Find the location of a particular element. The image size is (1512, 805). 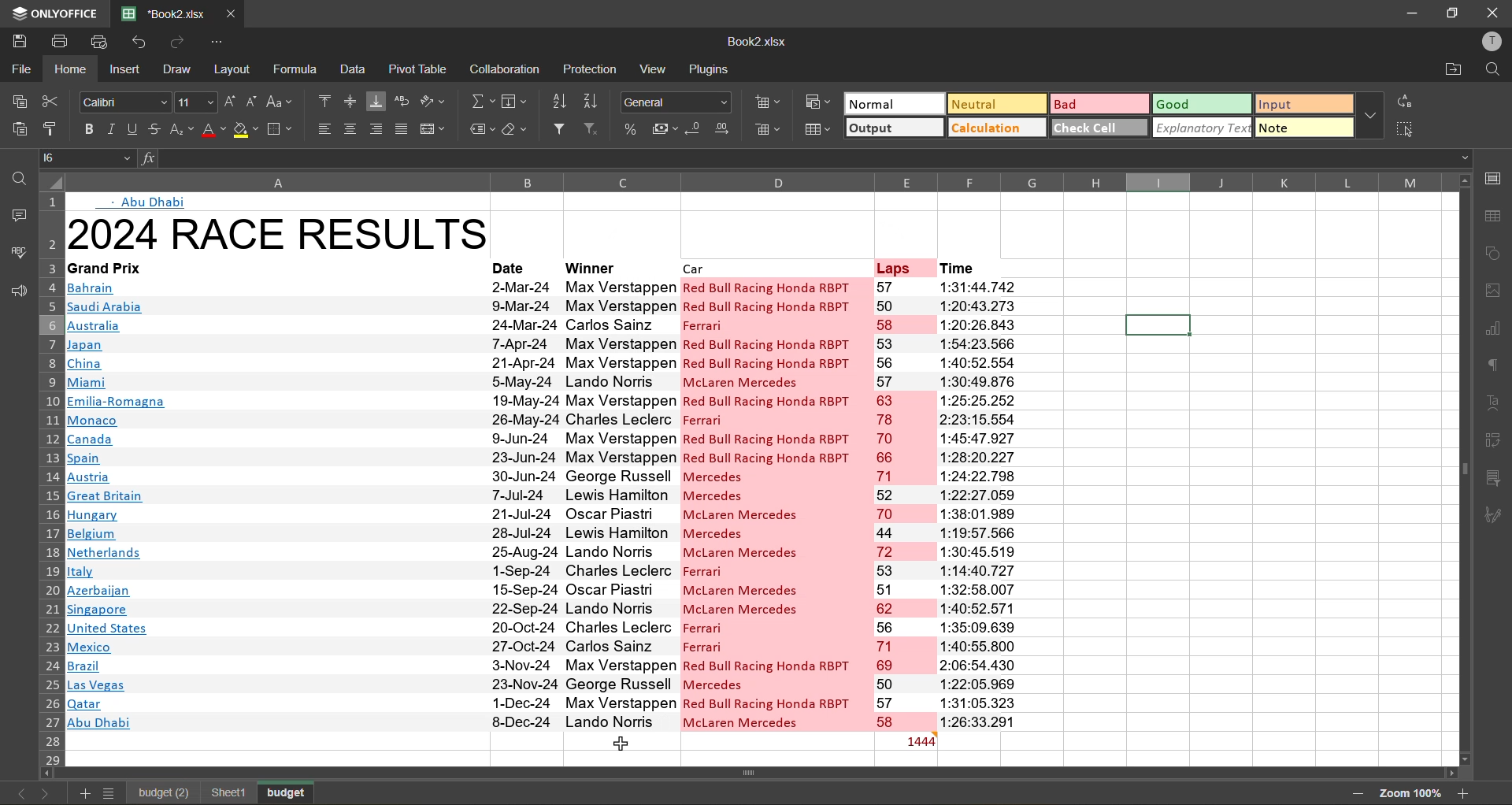

replace is located at coordinates (1403, 102).